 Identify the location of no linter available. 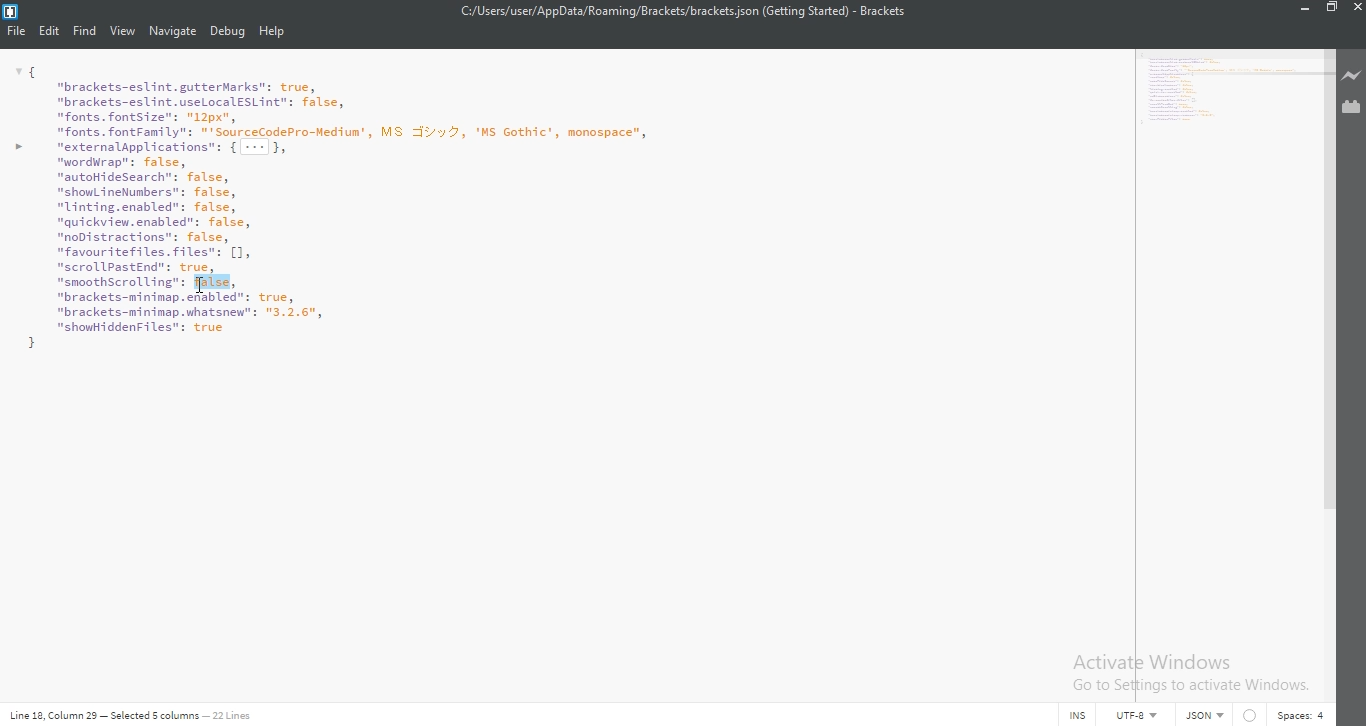
(1250, 716).